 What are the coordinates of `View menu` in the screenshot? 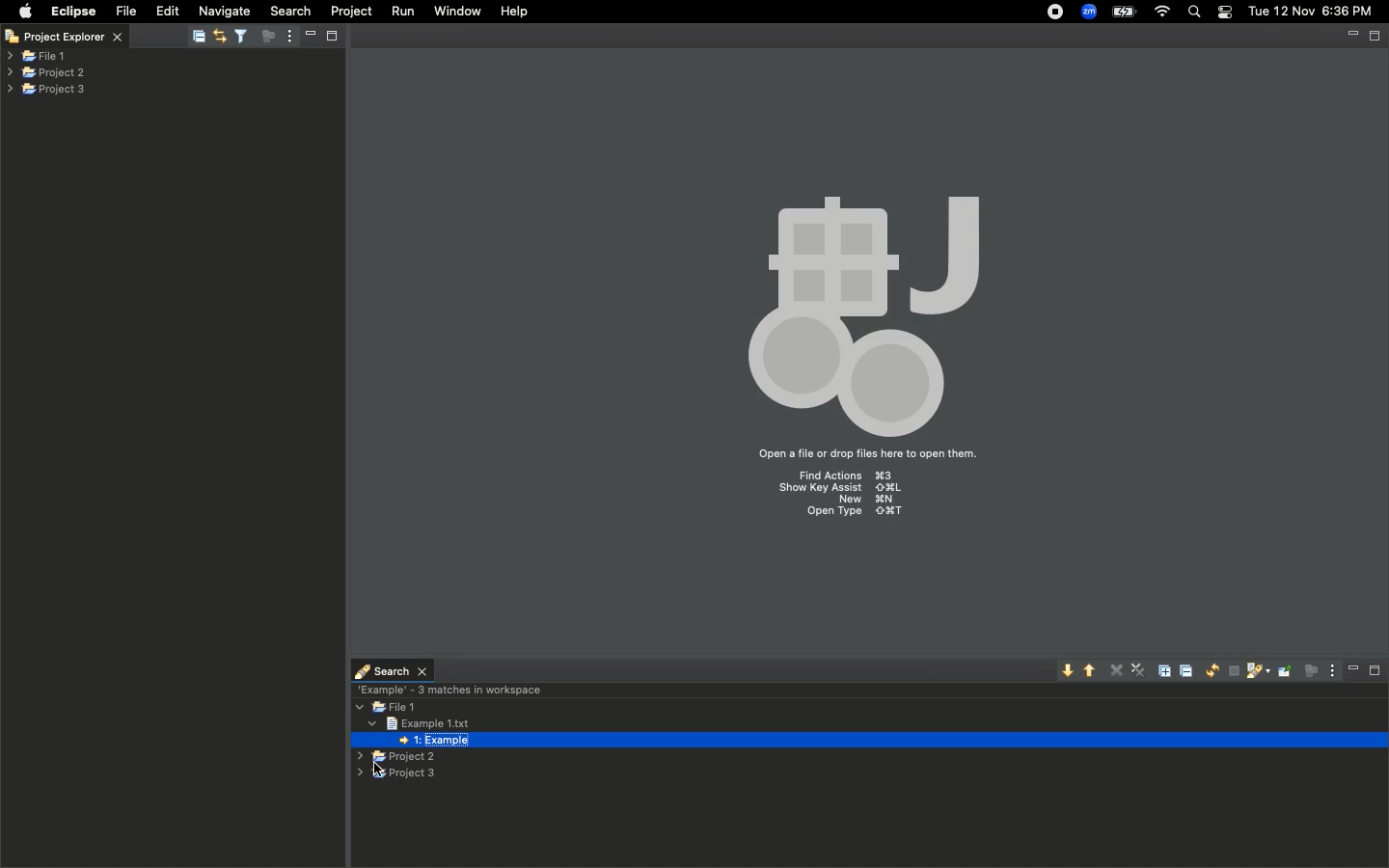 It's located at (288, 38).